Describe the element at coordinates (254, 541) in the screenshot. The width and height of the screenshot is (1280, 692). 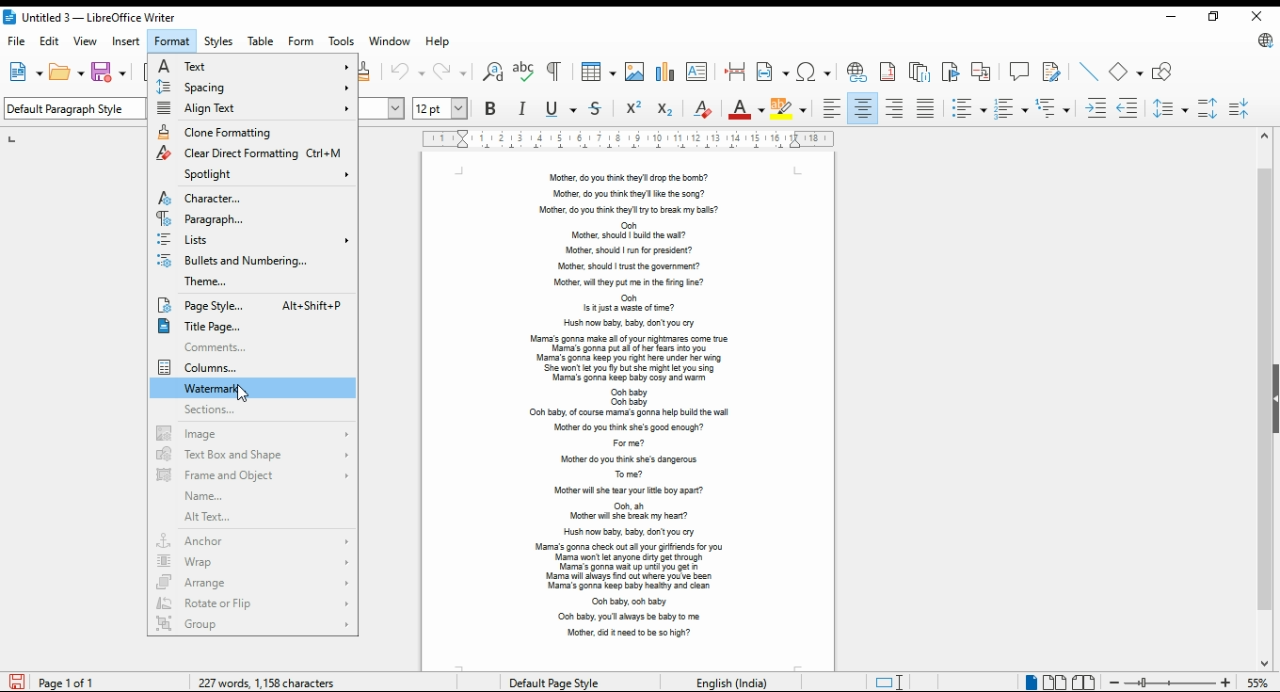
I see `anchor` at that location.